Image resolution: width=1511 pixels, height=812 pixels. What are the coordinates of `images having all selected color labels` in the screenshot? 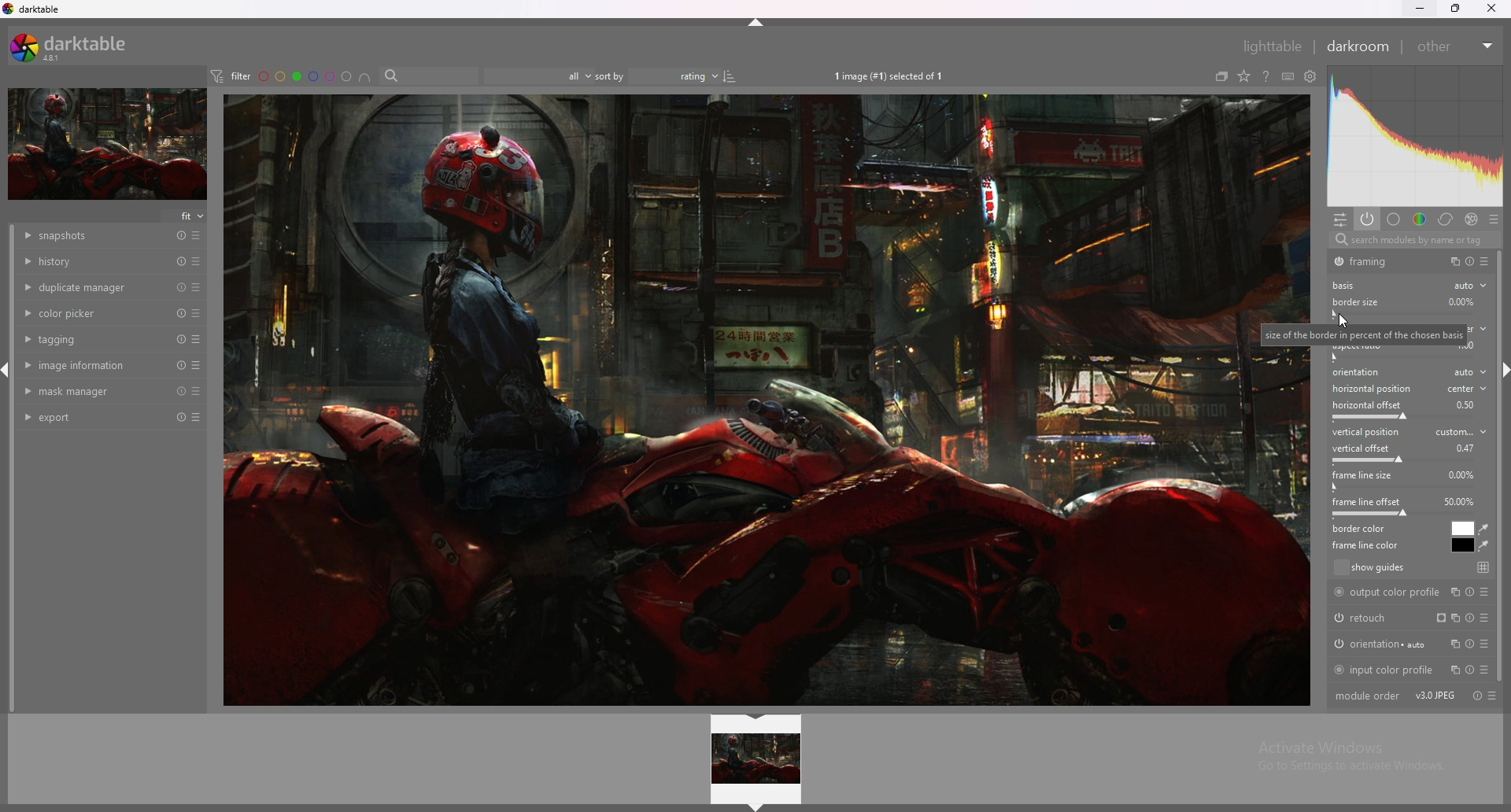 It's located at (364, 76).